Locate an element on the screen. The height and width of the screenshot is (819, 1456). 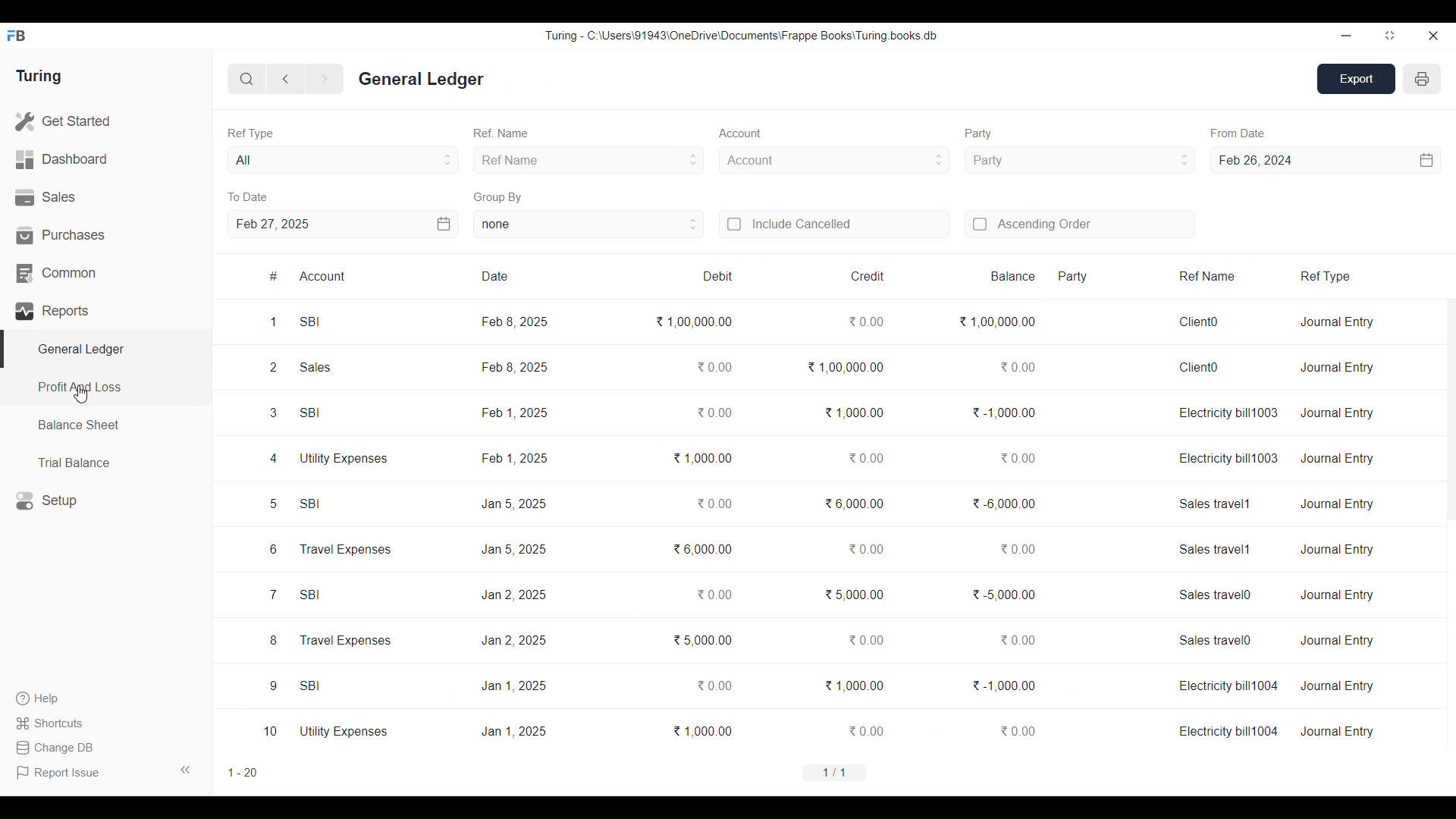
1,000.00 is located at coordinates (702, 730).